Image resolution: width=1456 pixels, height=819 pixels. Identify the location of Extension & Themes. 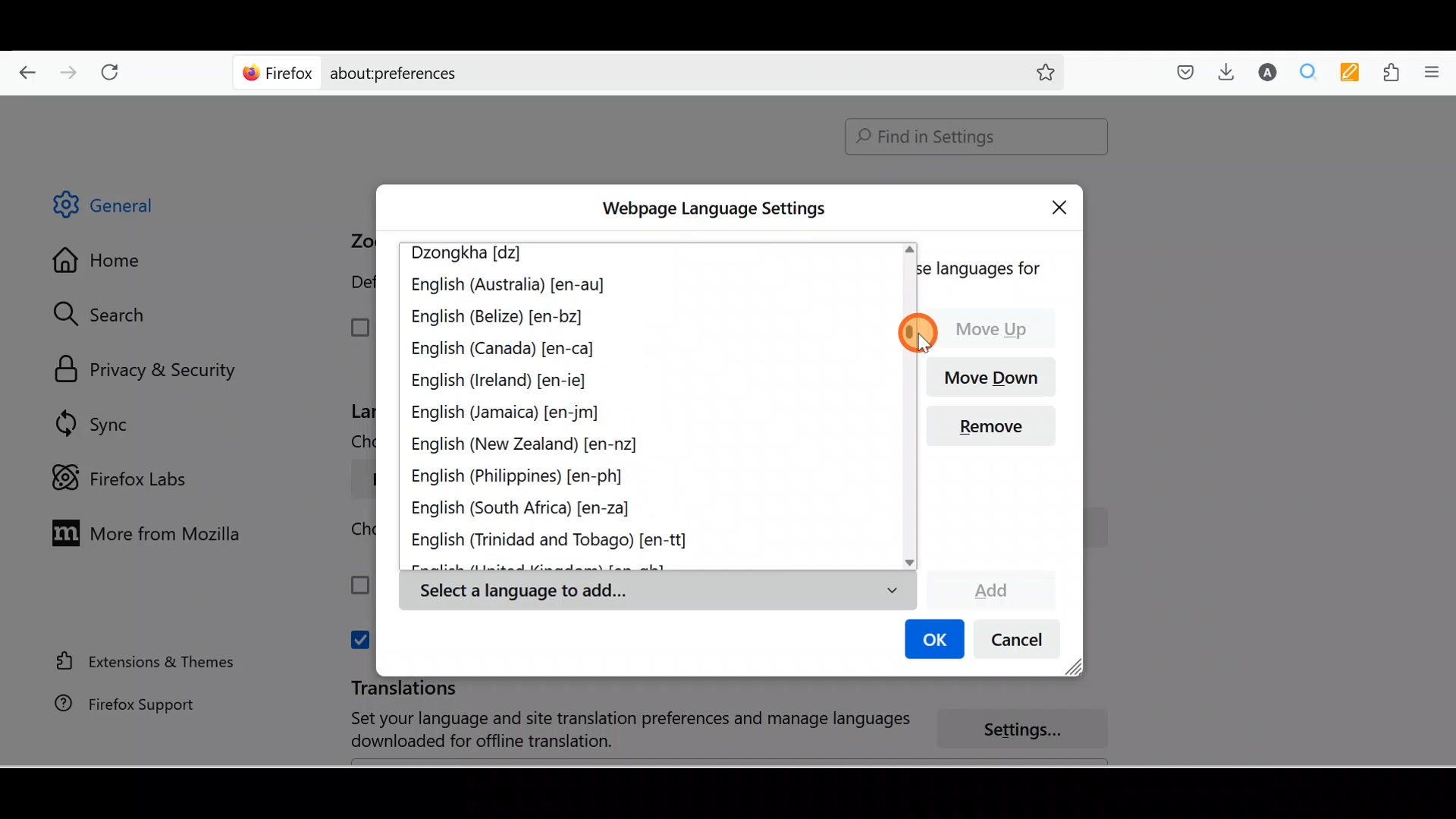
(138, 661).